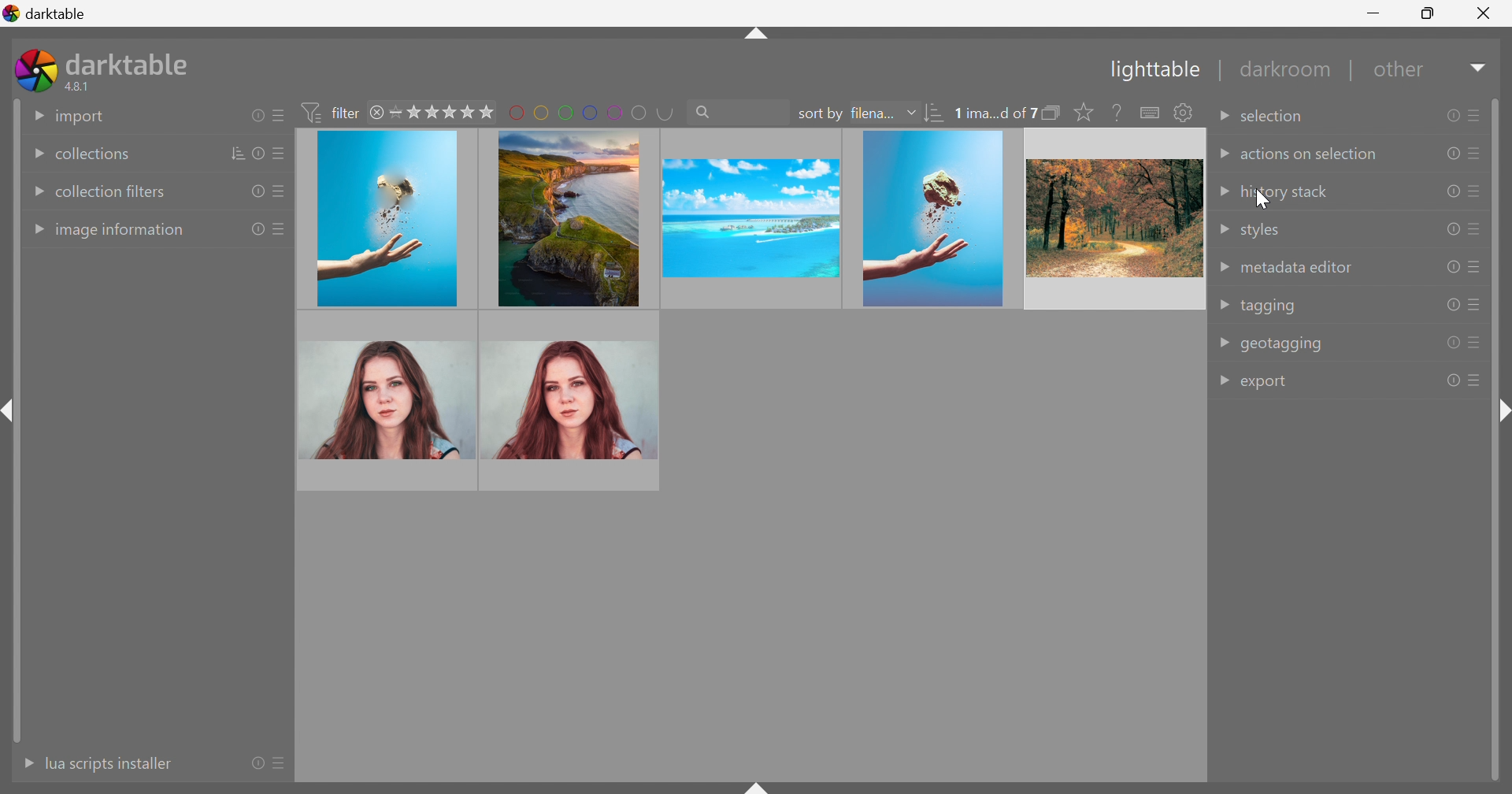  I want to click on Restore Down, so click(1429, 11).